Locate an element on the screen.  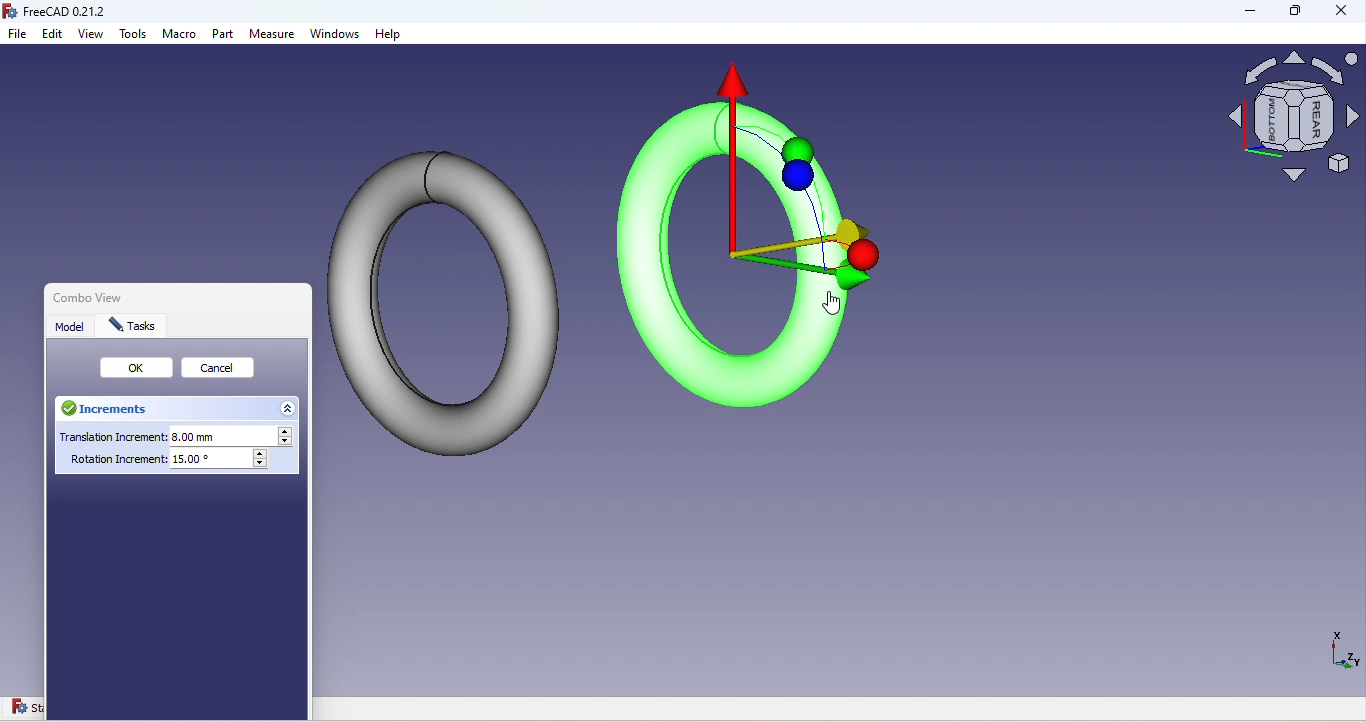
Navigation square is located at coordinates (1294, 122).